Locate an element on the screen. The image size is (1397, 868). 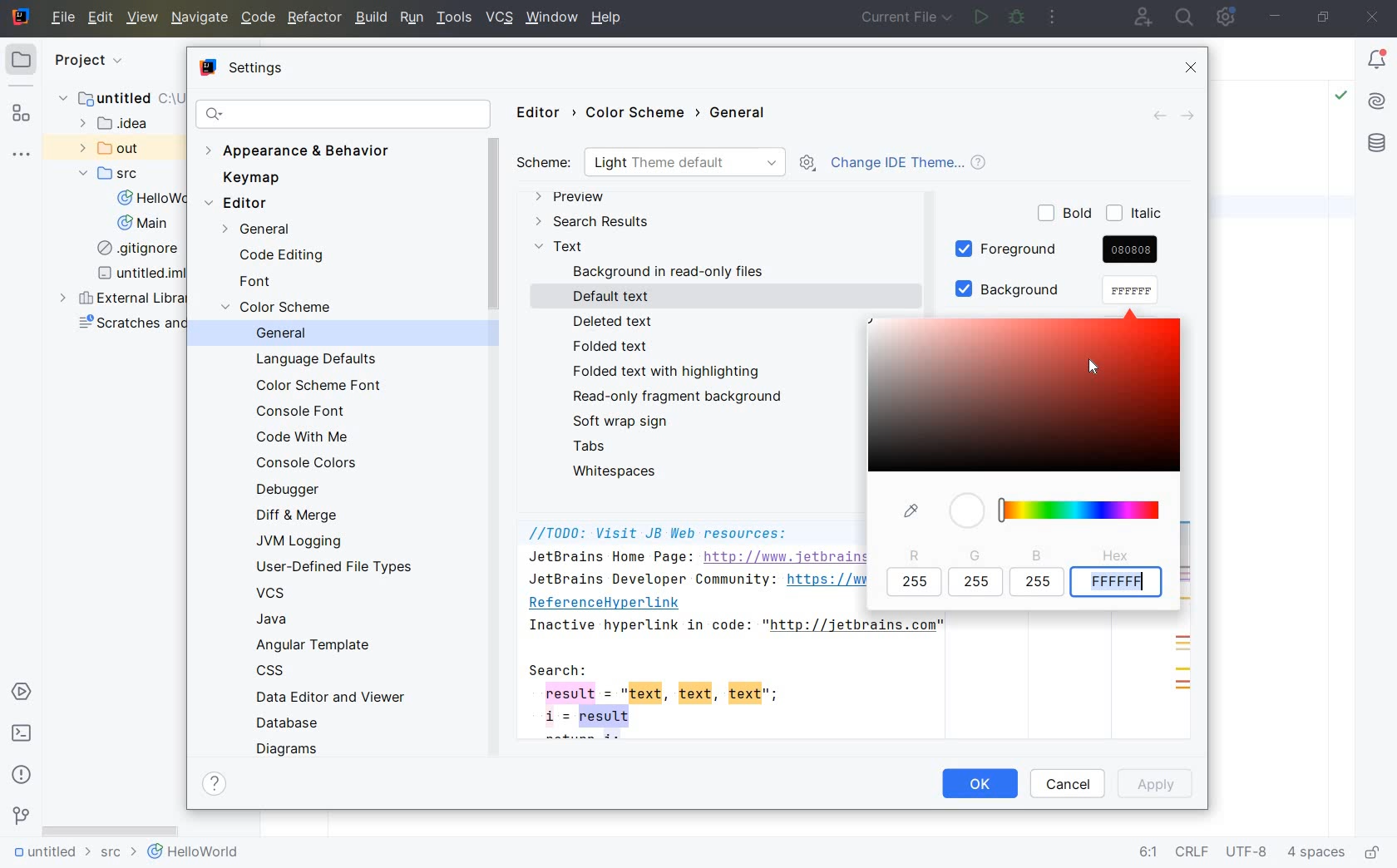
REFACTOR is located at coordinates (313, 20).